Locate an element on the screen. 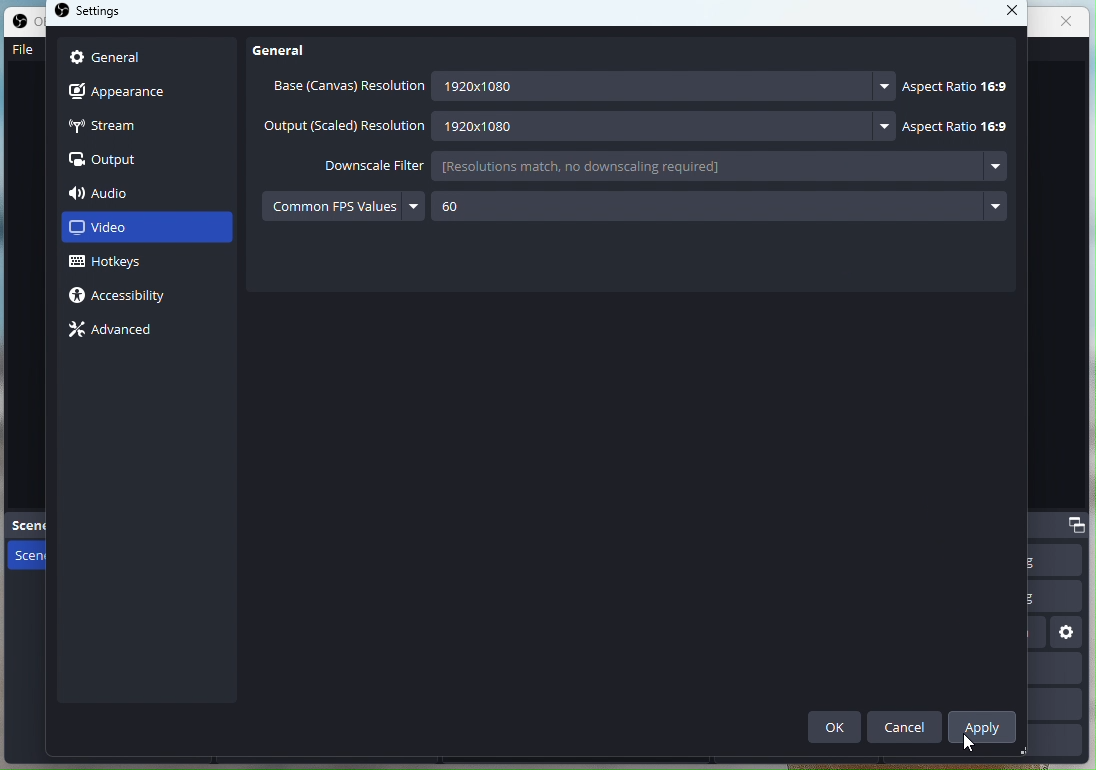 Image resolution: width=1096 pixels, height=770 pixels. Ok is located at coordinates (834, 728).